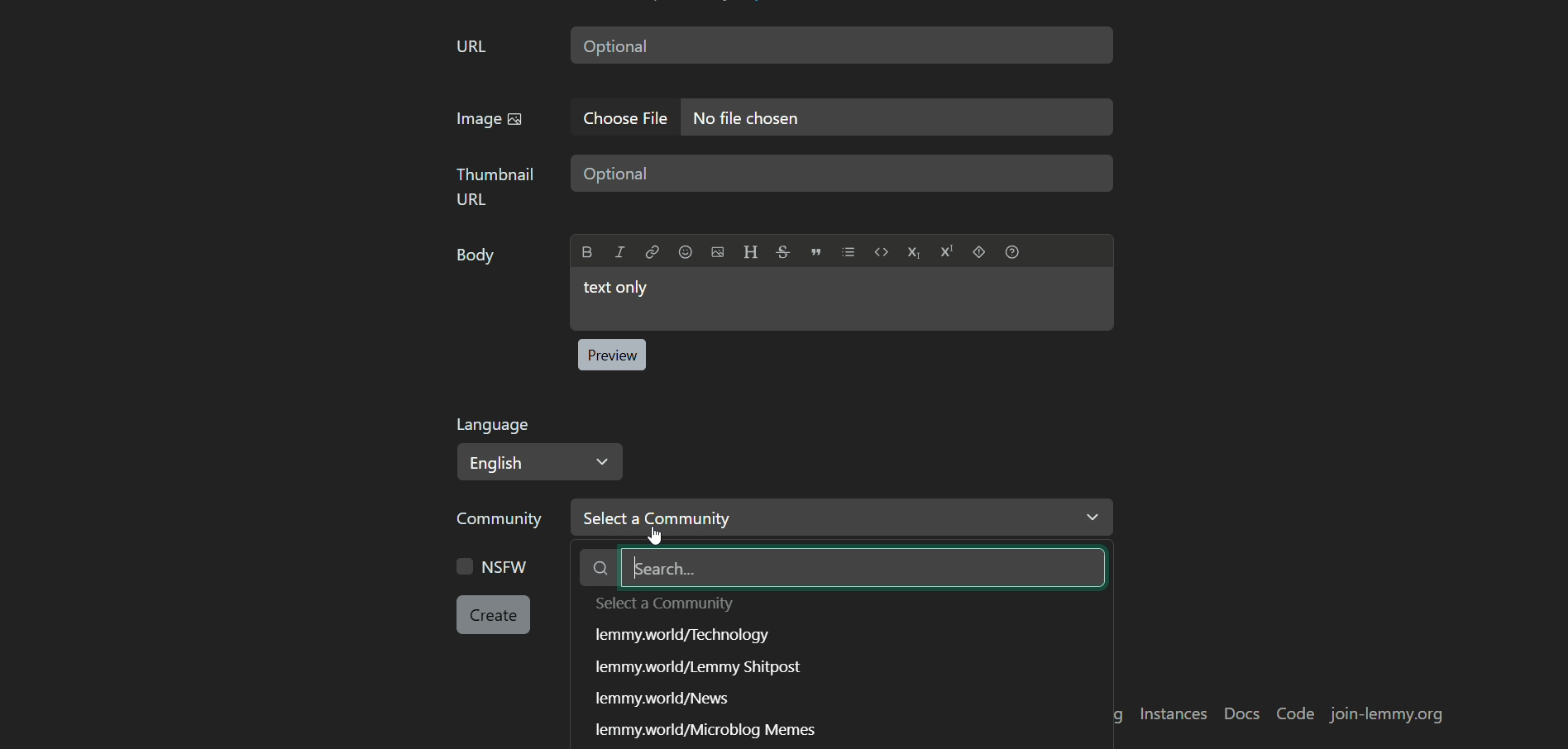  What do you see at coordinates (478, 259) in the screenshot?
I see `Body` at bounding box center [478, 259].